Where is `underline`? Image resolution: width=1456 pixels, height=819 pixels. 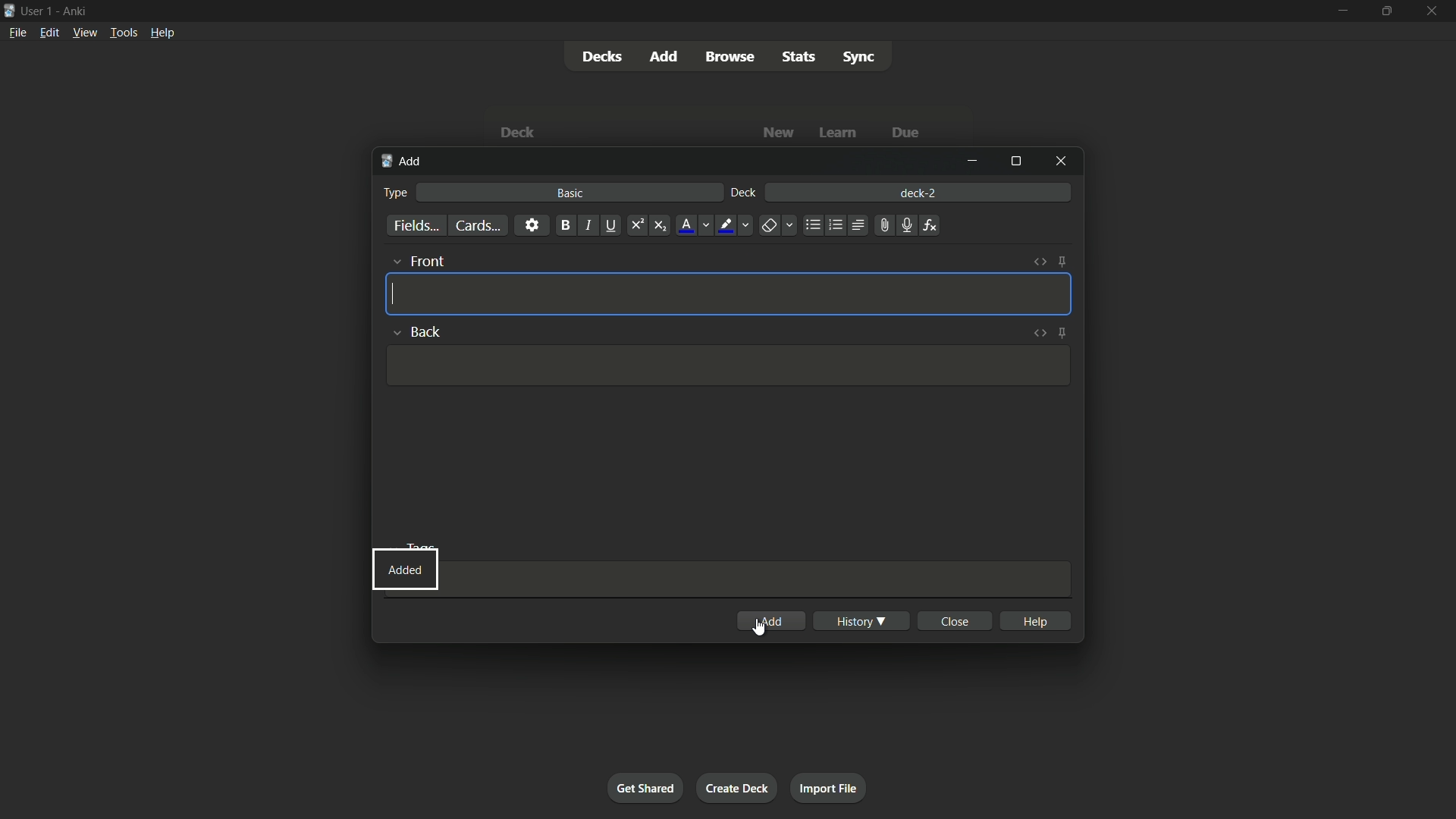 underline is located at coordinates (612, 226).